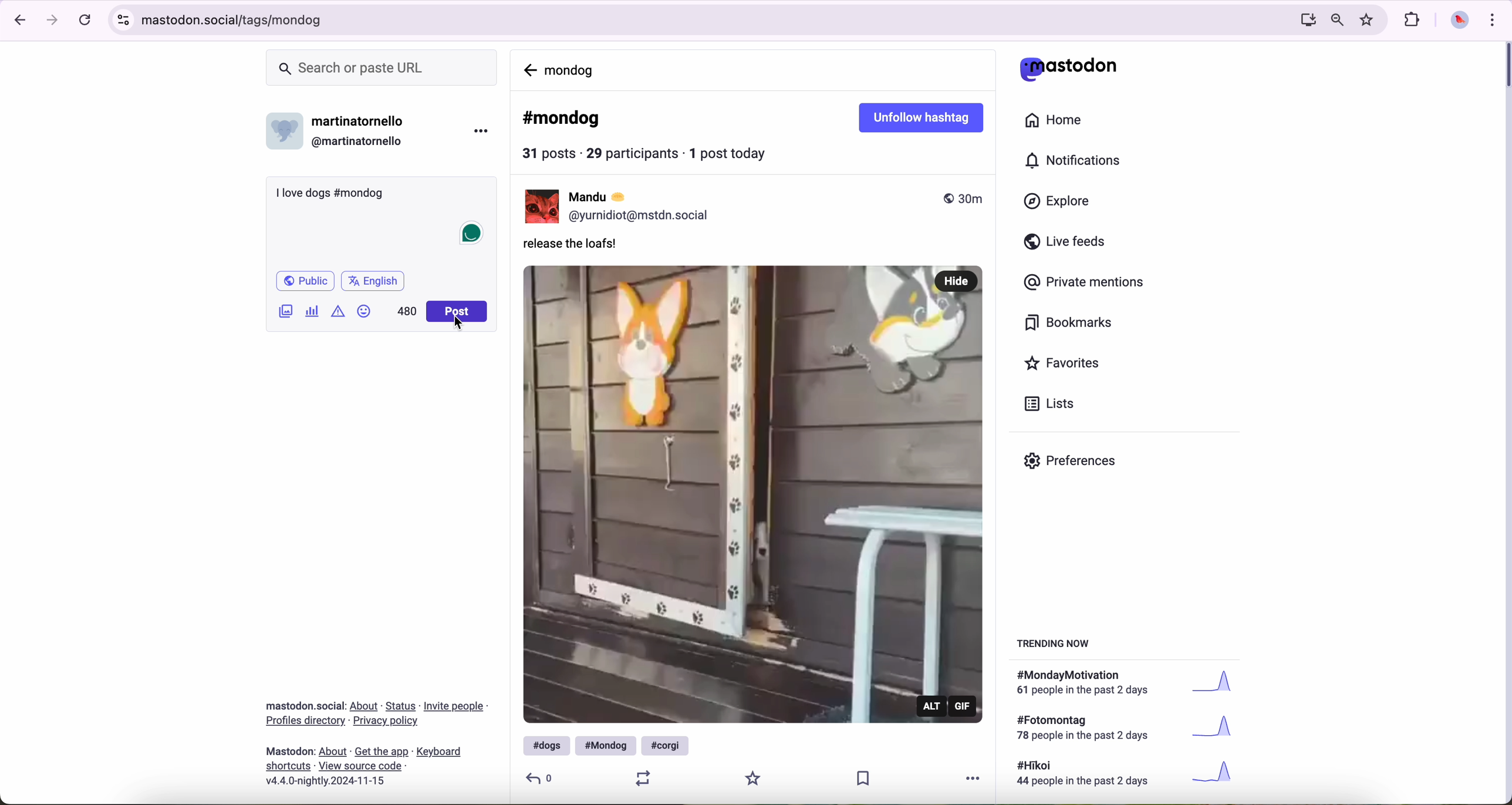 This screenshot has width=1512, height=805. Describe the element at coordinates (374, 282) in the screenshot. I see `English` at that location.